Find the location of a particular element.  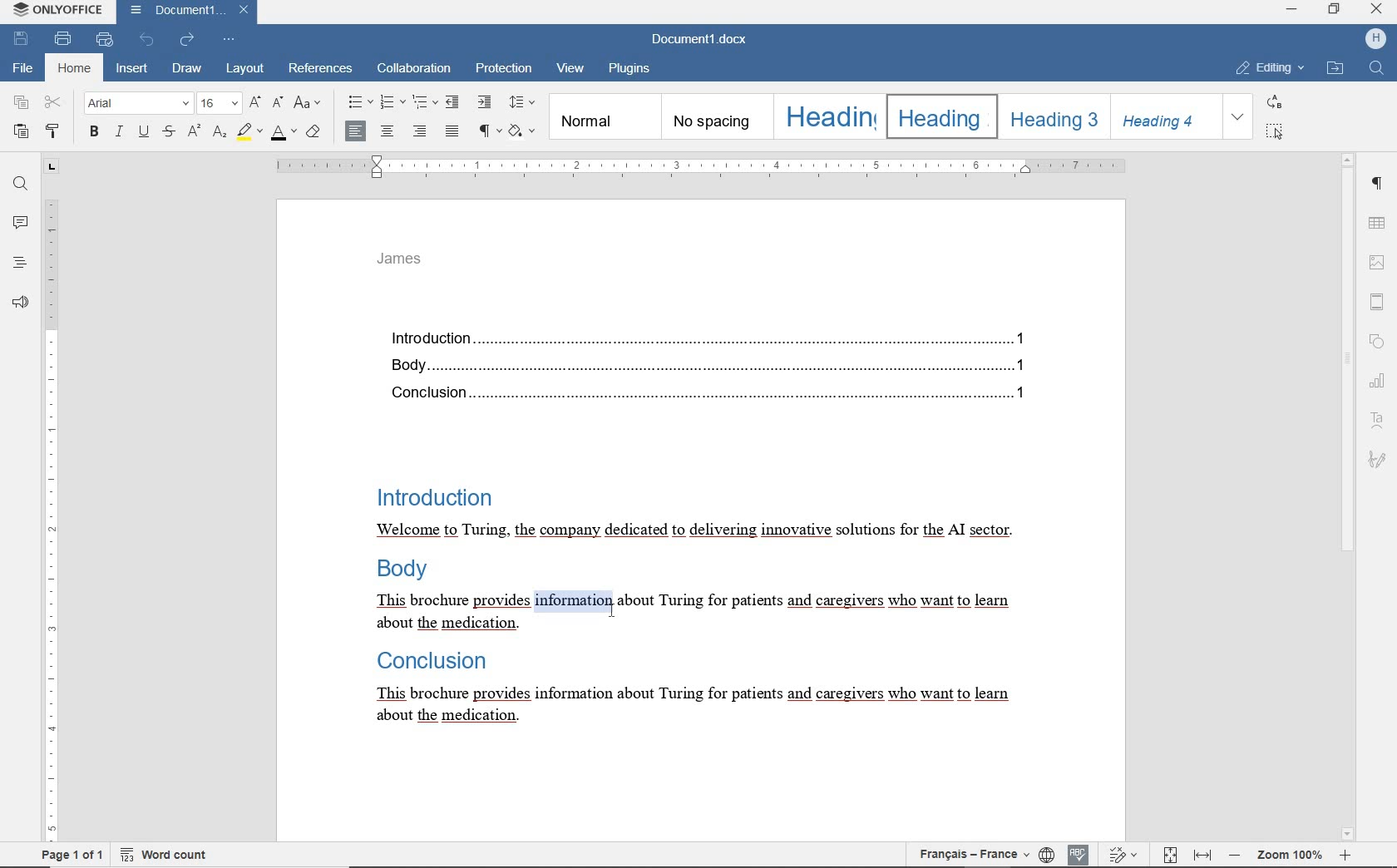

HEADING 4 is located at coordinates (1164, 116).